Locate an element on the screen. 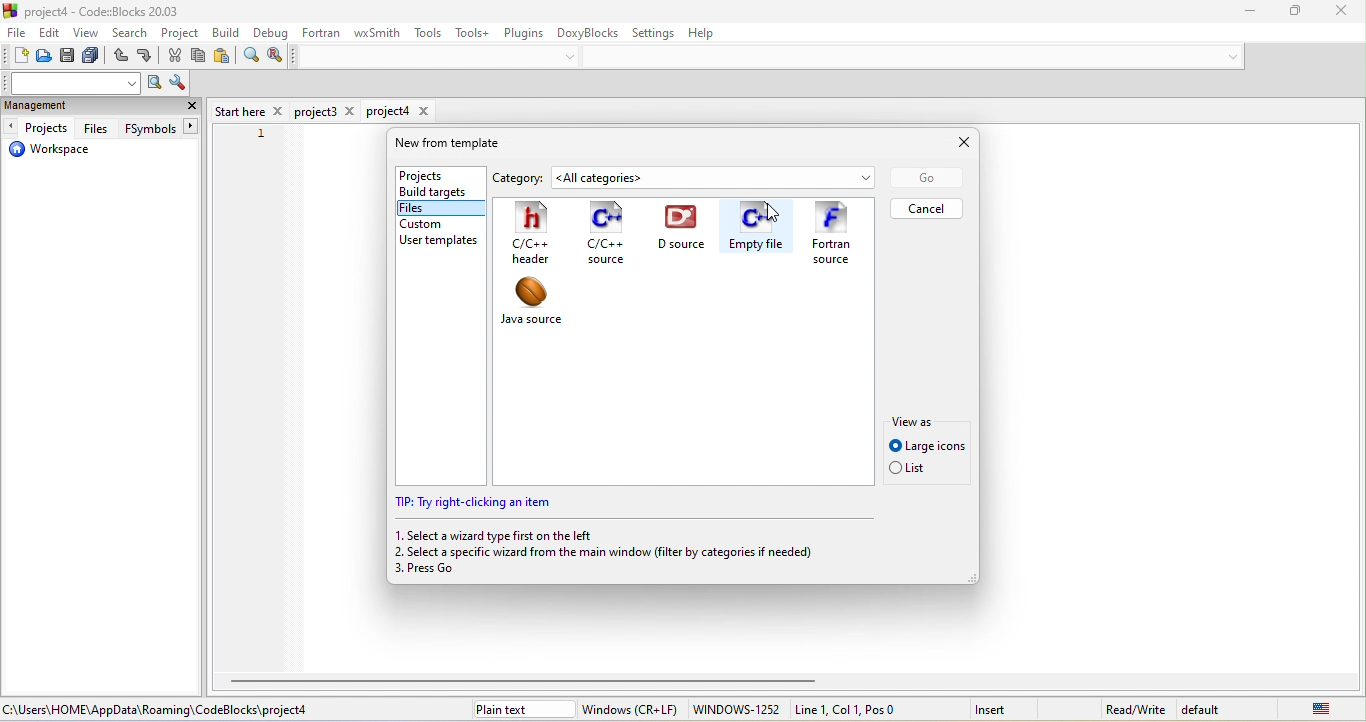  large icons is located at coordinates (927, 446).